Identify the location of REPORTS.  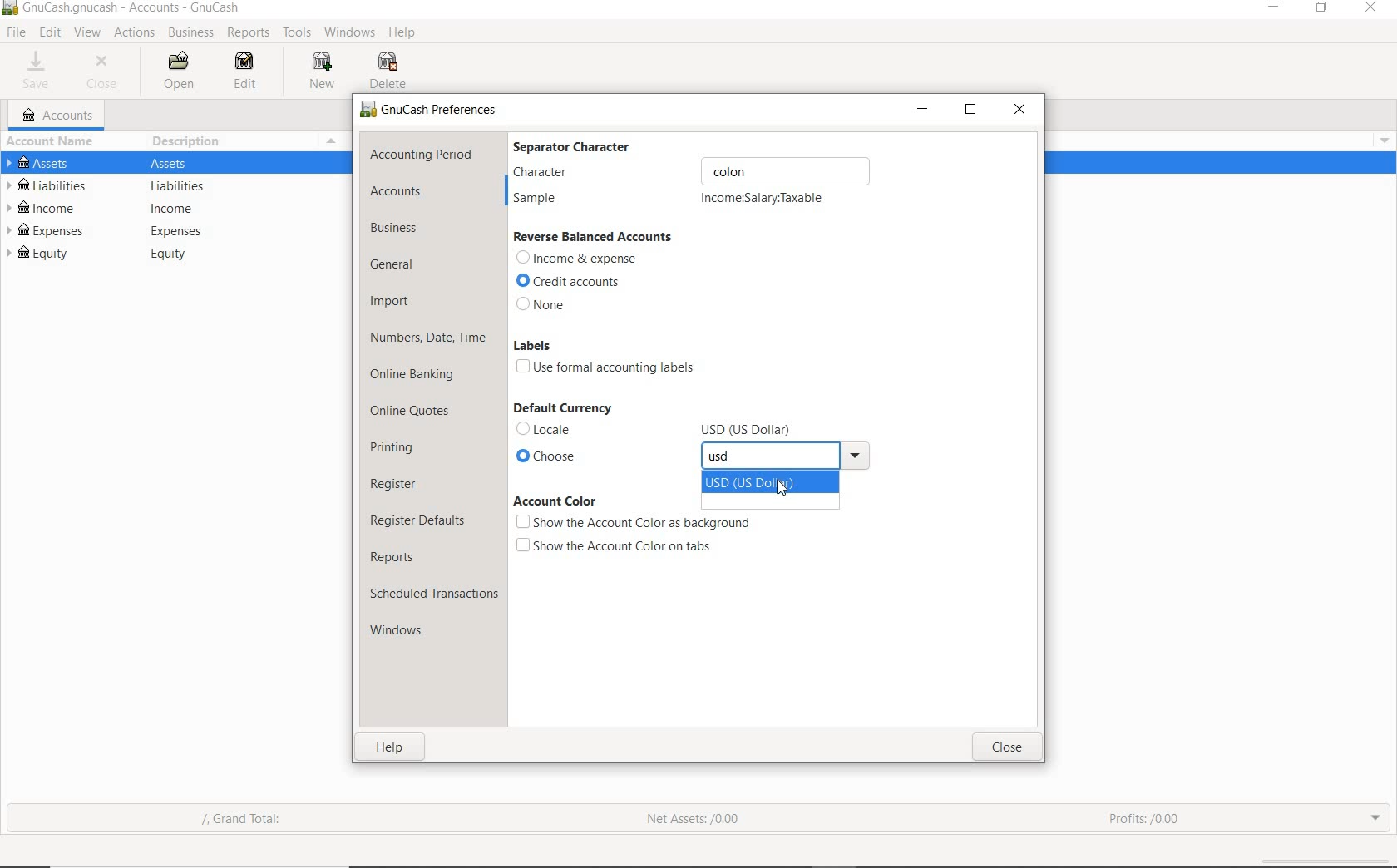
(249, 33).